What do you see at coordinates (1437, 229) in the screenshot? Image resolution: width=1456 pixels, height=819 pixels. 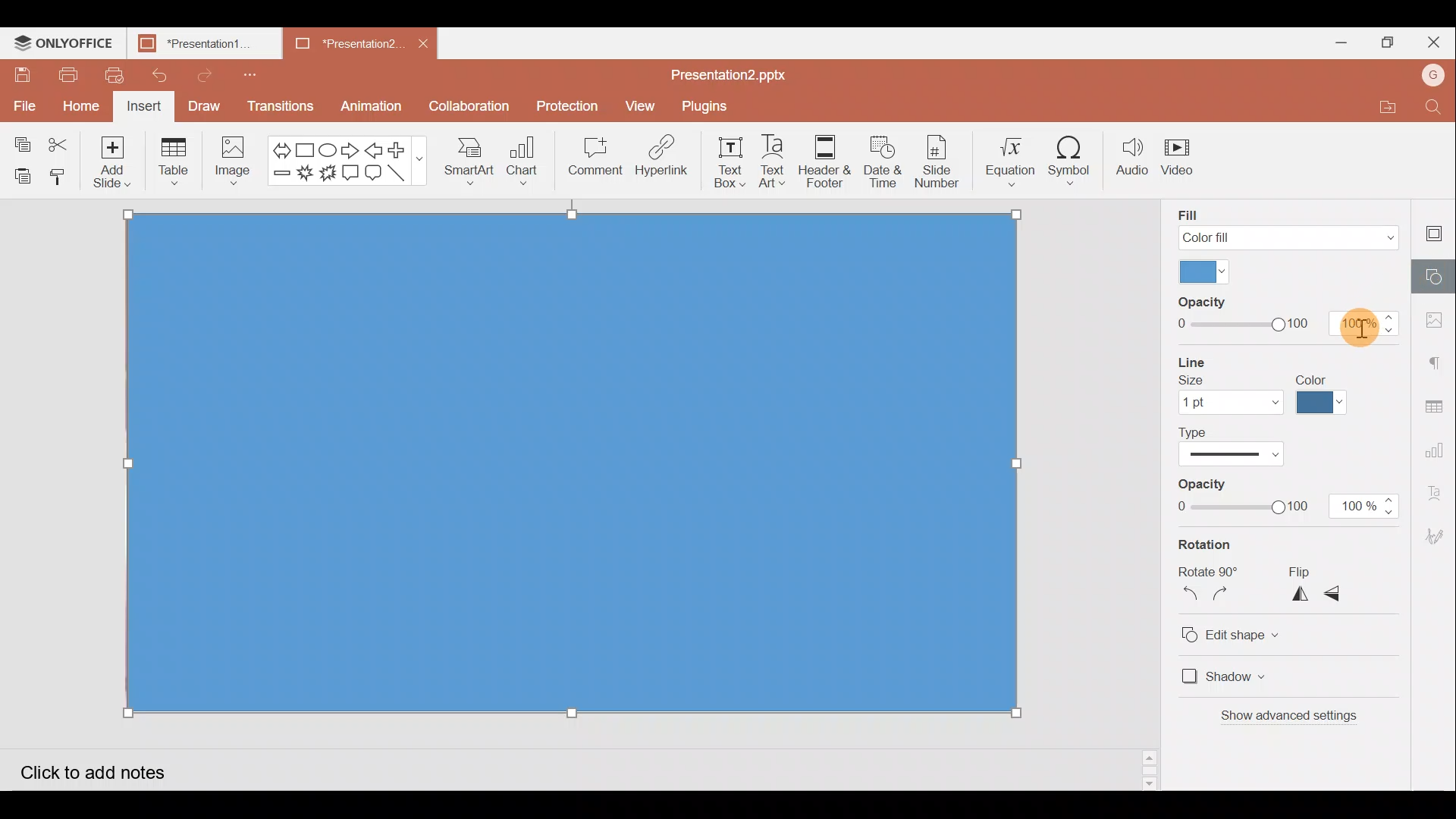 I see `Slide settings` at bounding box center [1437, 229].